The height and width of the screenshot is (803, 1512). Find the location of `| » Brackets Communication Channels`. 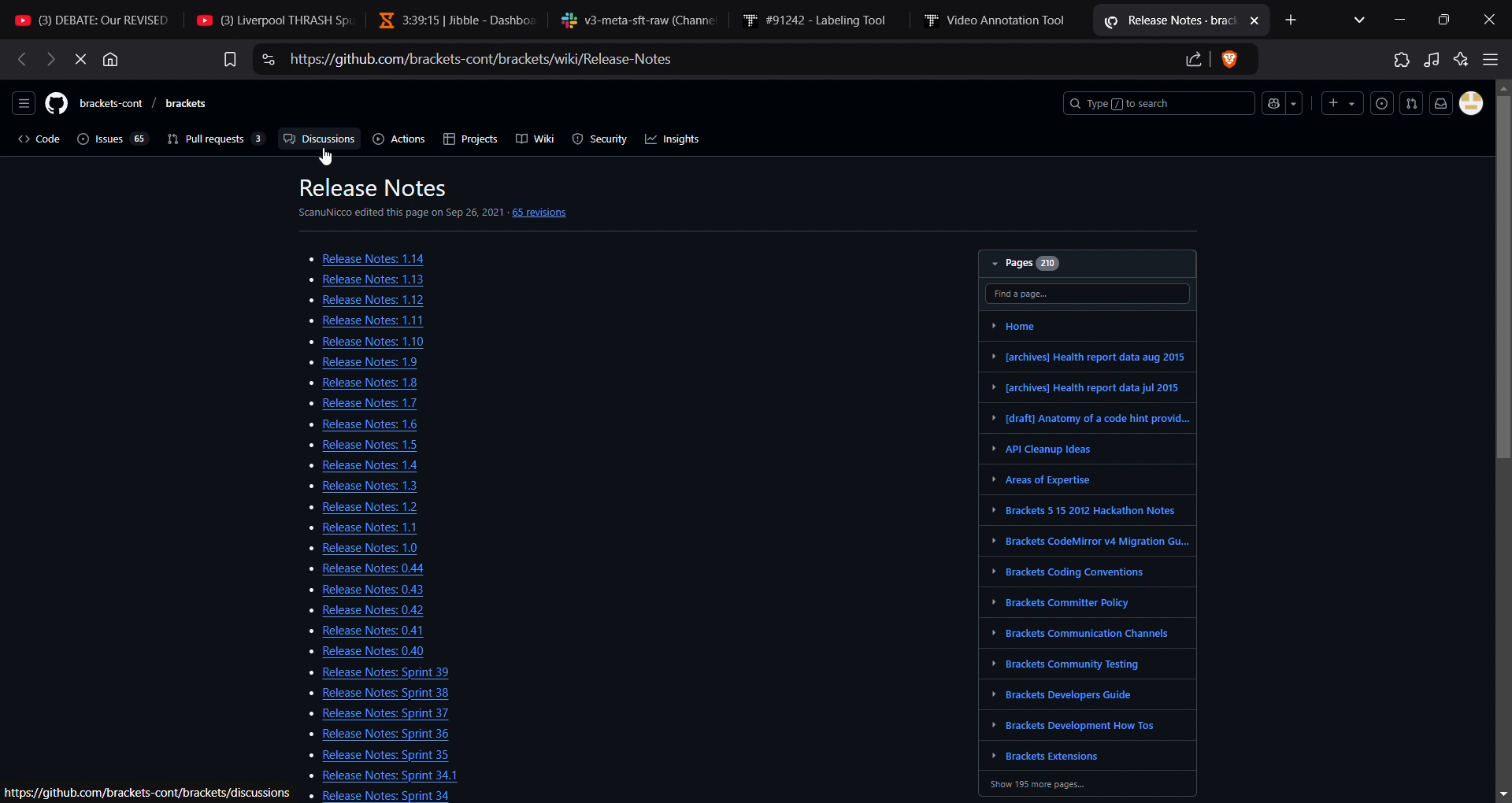

| » Brackets Communication Channels is located at coordinates (1078, 631).